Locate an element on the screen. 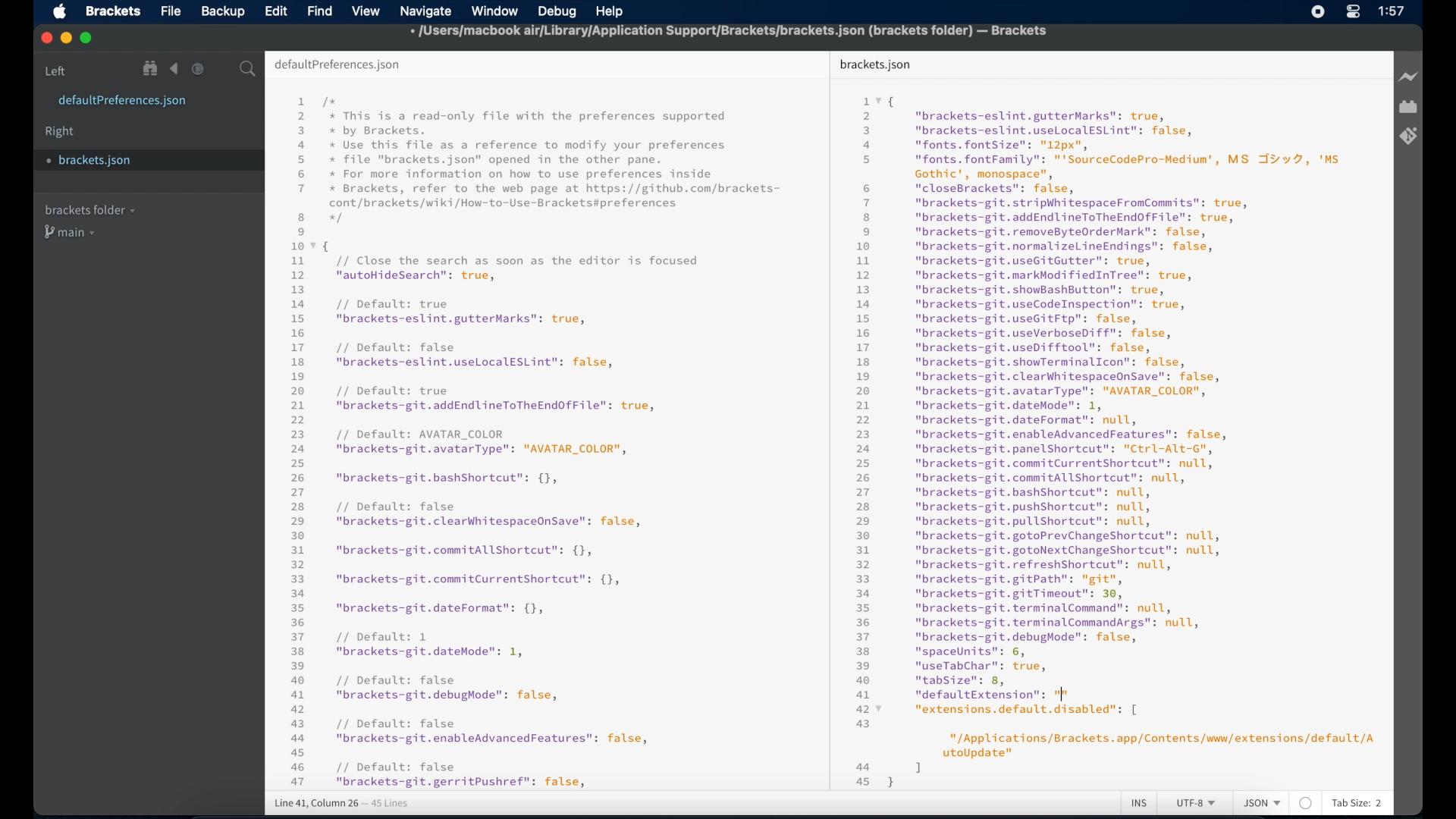 This screenshot has width=1456, height=819. file is located at coordinates (171, 11).